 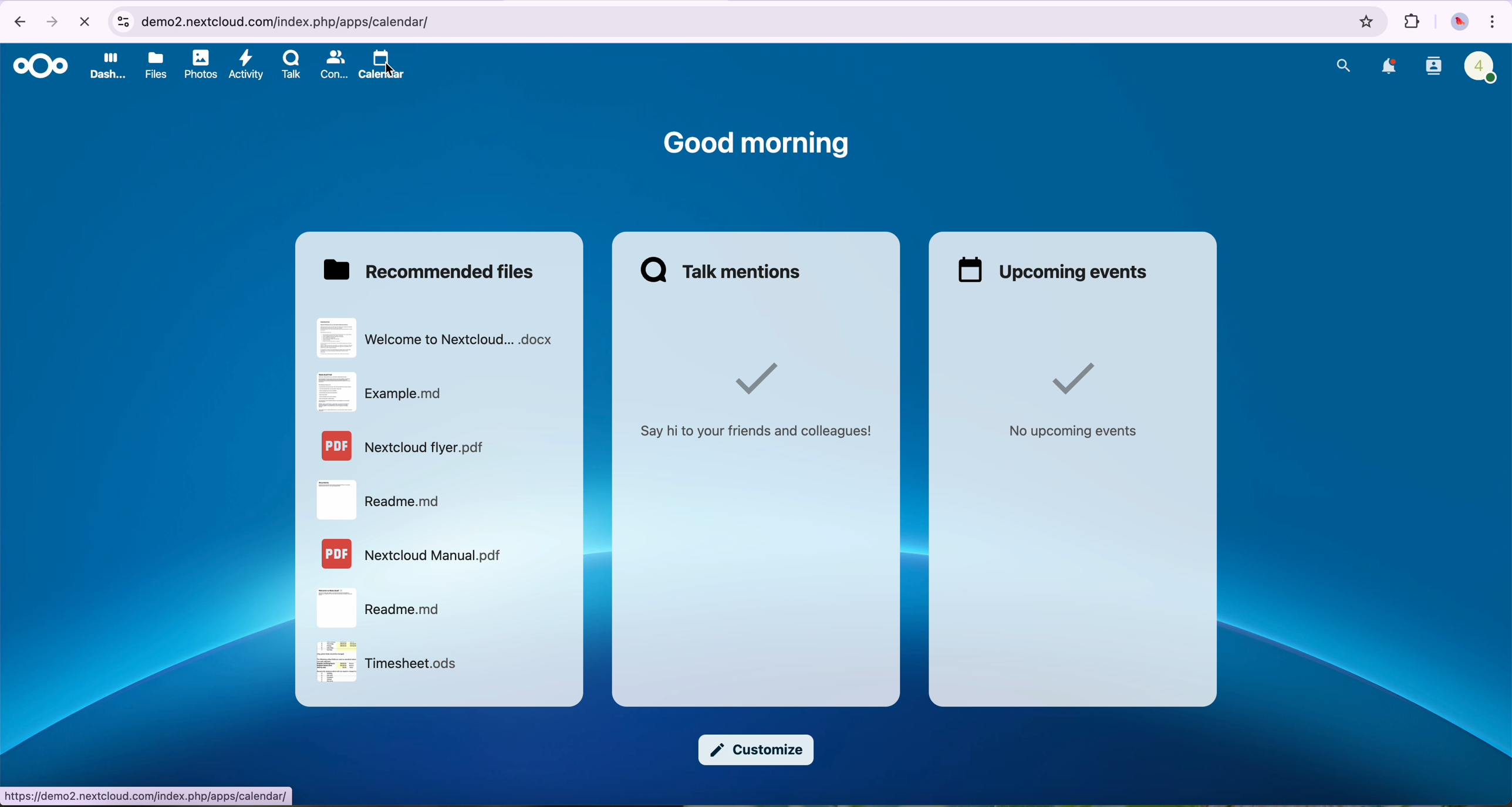 I want to click on file, so click(x=380, y=501).